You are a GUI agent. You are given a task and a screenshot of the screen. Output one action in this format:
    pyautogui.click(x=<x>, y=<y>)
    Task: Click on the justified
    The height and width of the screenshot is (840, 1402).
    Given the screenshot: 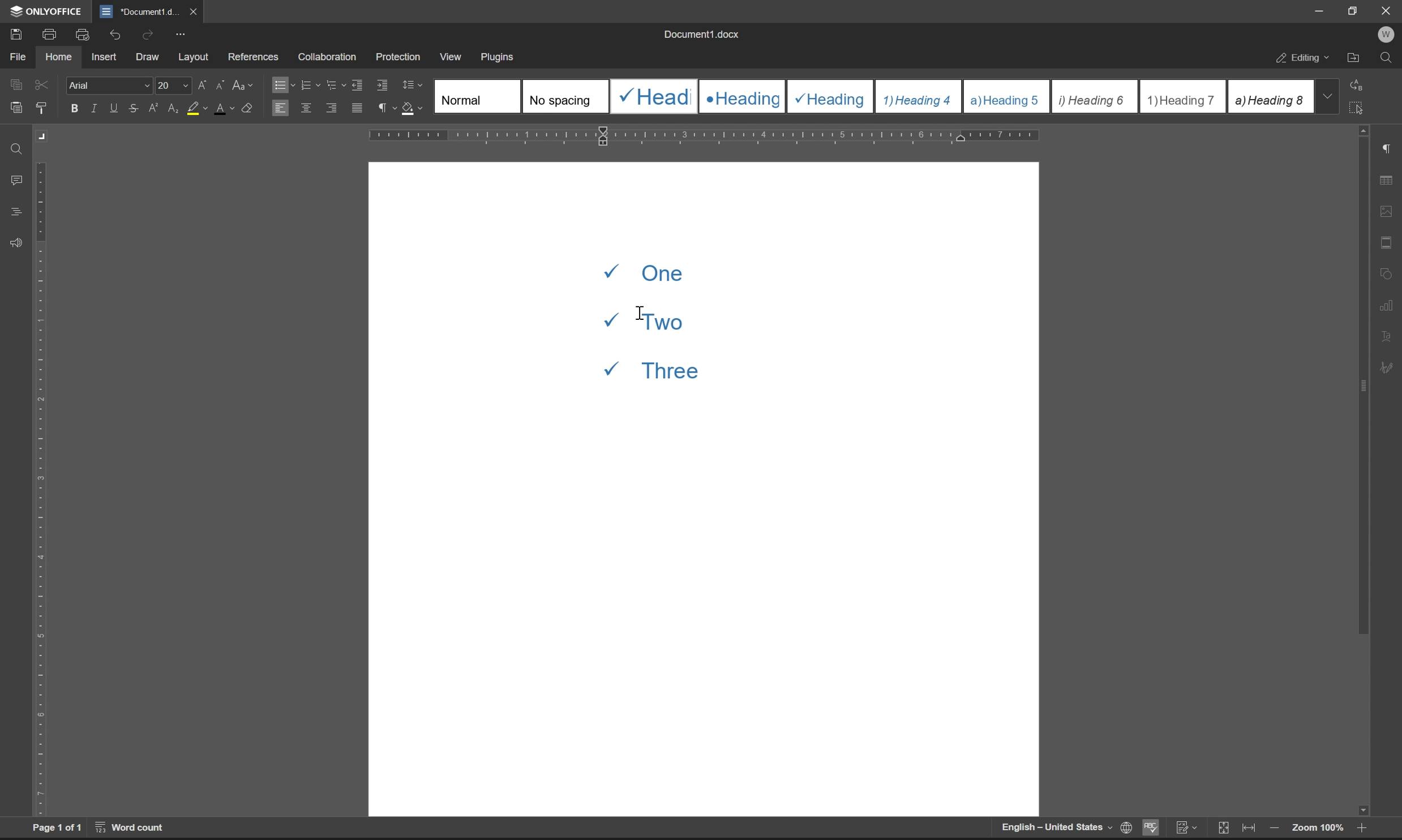 What is the action you would take?
    pyautogui.click(x=358, y=108)
    